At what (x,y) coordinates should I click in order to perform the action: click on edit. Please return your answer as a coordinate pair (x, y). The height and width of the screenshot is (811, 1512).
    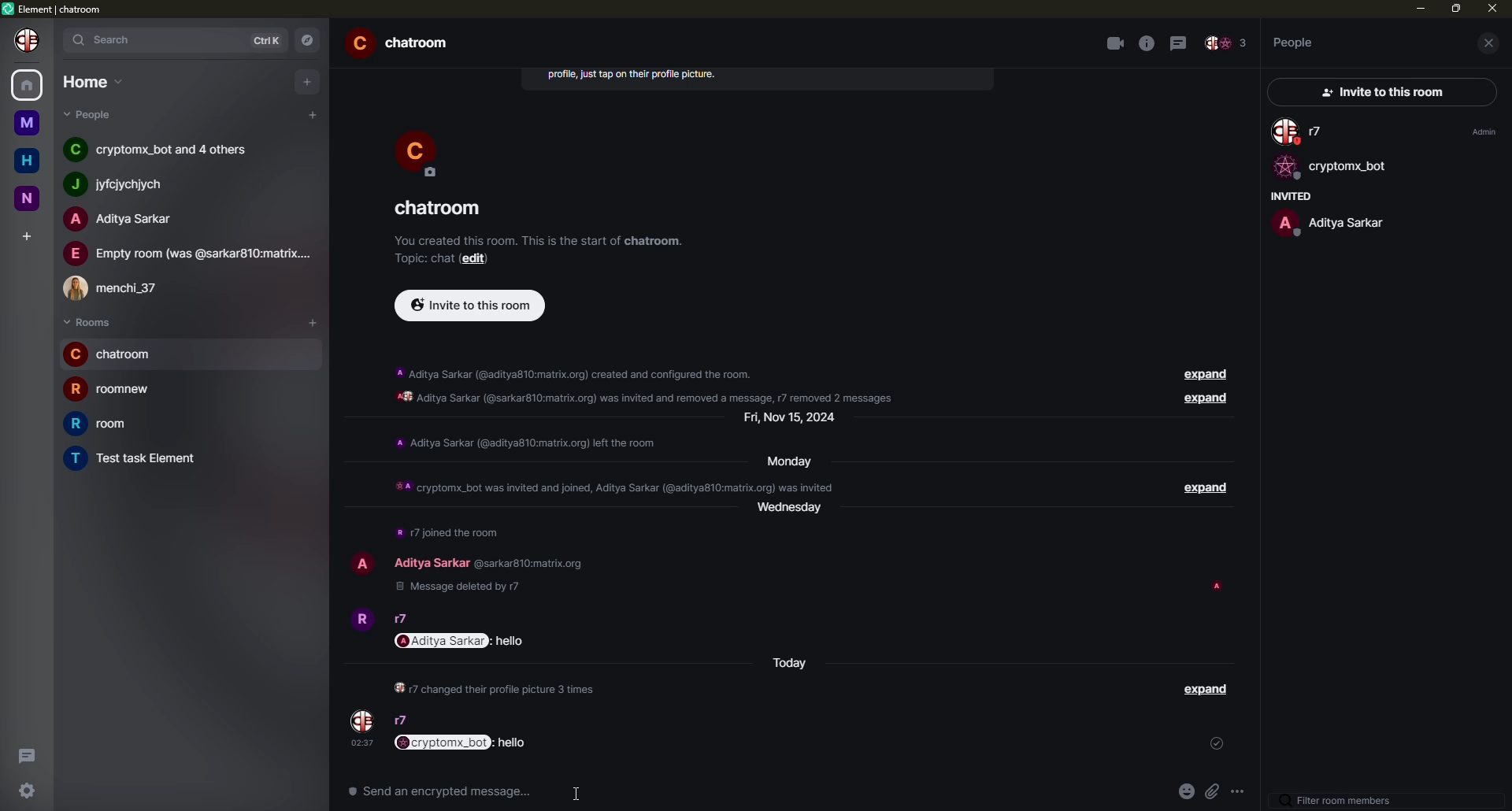
    Looking at the image, I should click on (474, 258).